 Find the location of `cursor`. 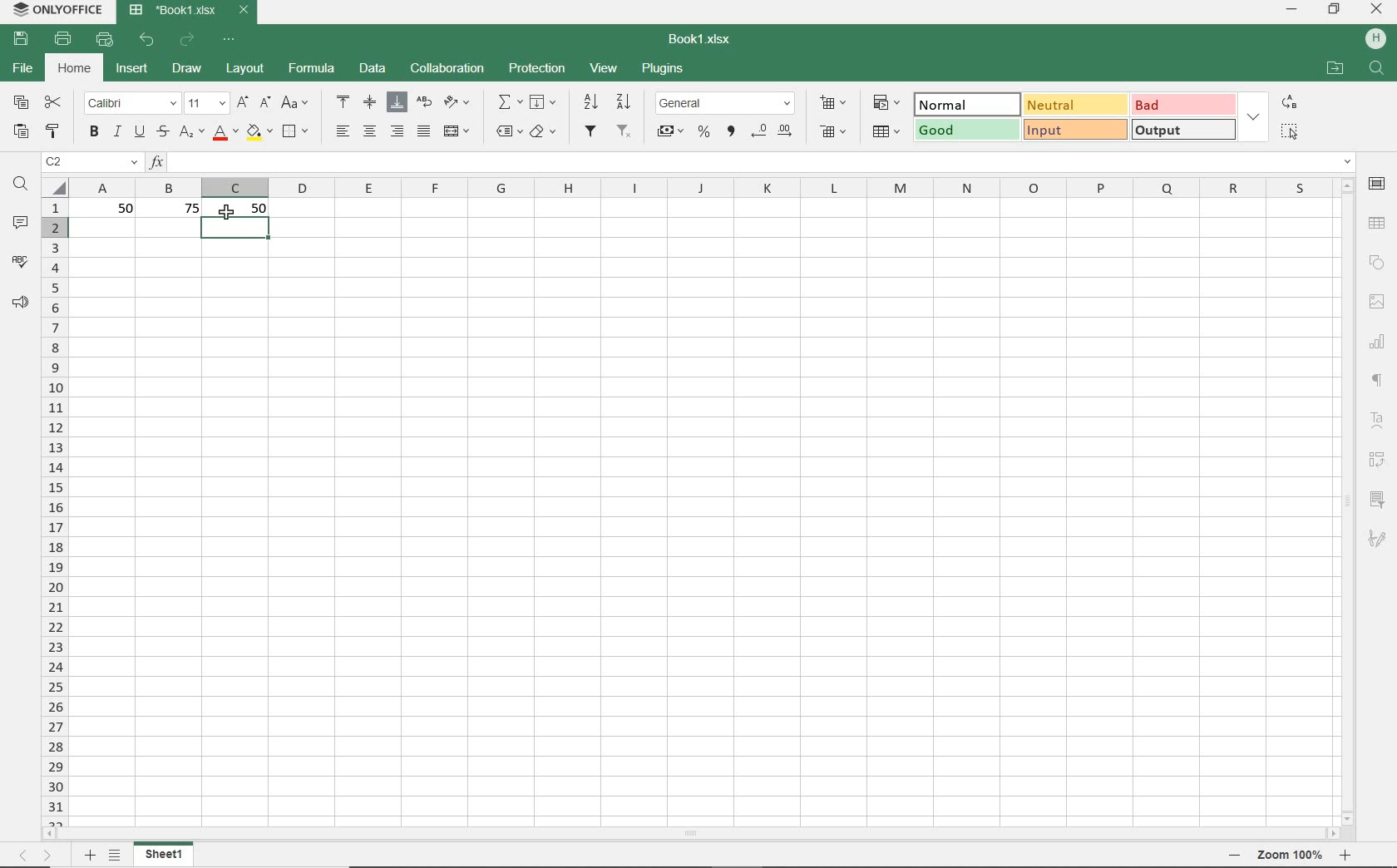

cursor is located at coordinates (228, 215).